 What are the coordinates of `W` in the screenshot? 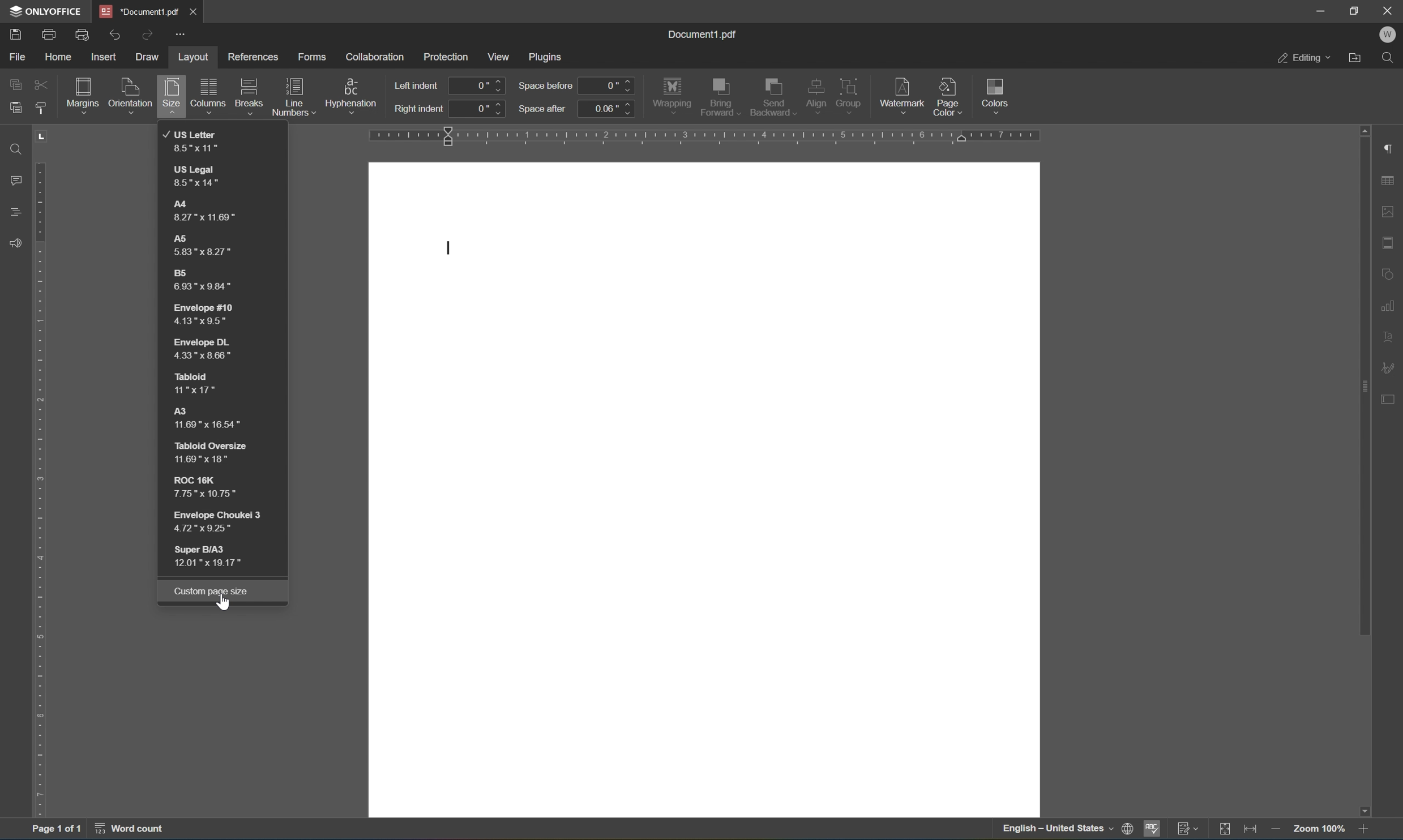 It's located at (1387, 34).